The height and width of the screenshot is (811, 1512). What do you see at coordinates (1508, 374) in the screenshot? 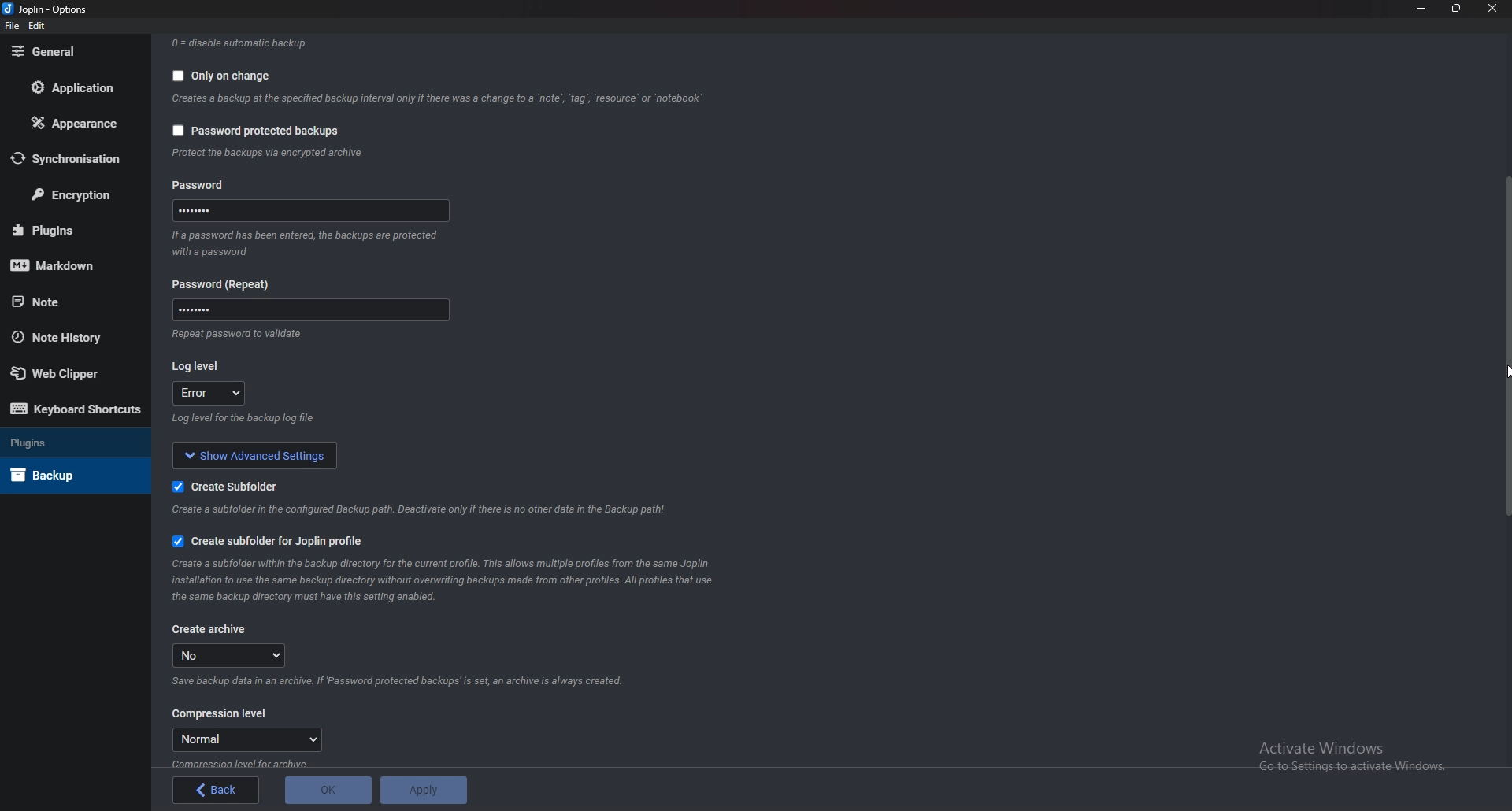
I see `Cursor` at bounding box center [1508, 374].